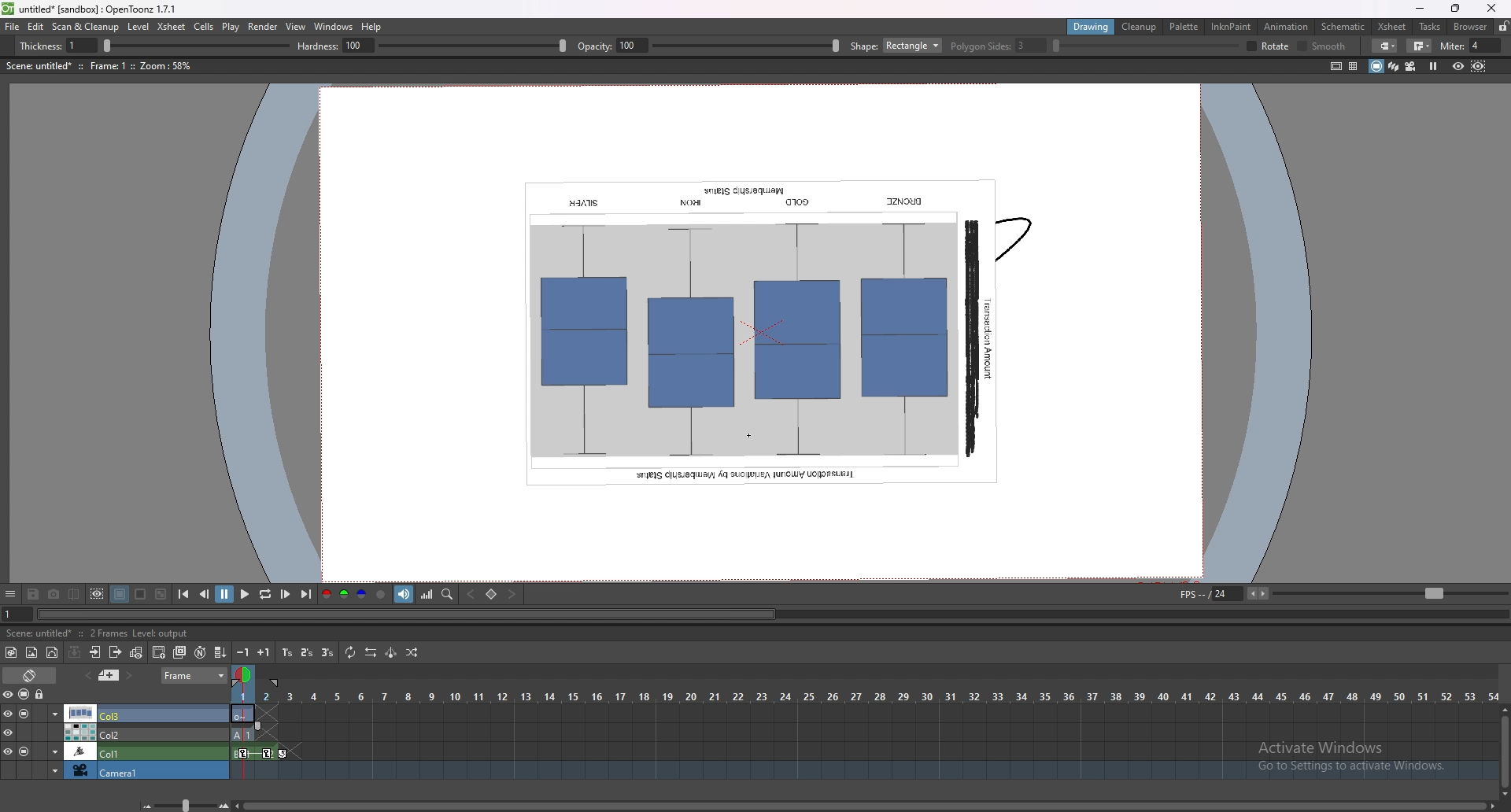 This screenshot has width=1511, height=812. I want to click on tasks, so click(1429, 28).